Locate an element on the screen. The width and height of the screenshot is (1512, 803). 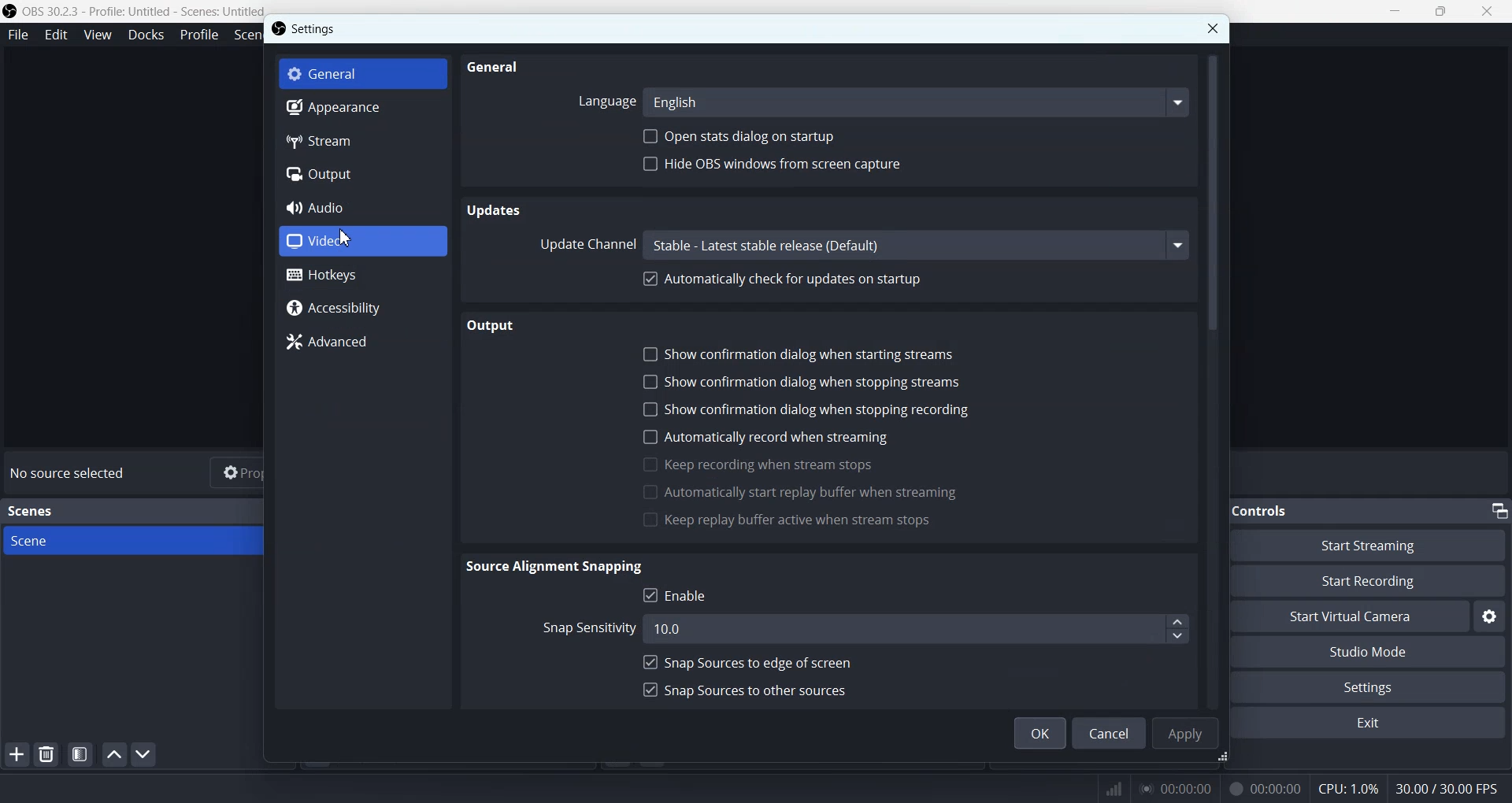
Text is located at coordinates (1454, 788).